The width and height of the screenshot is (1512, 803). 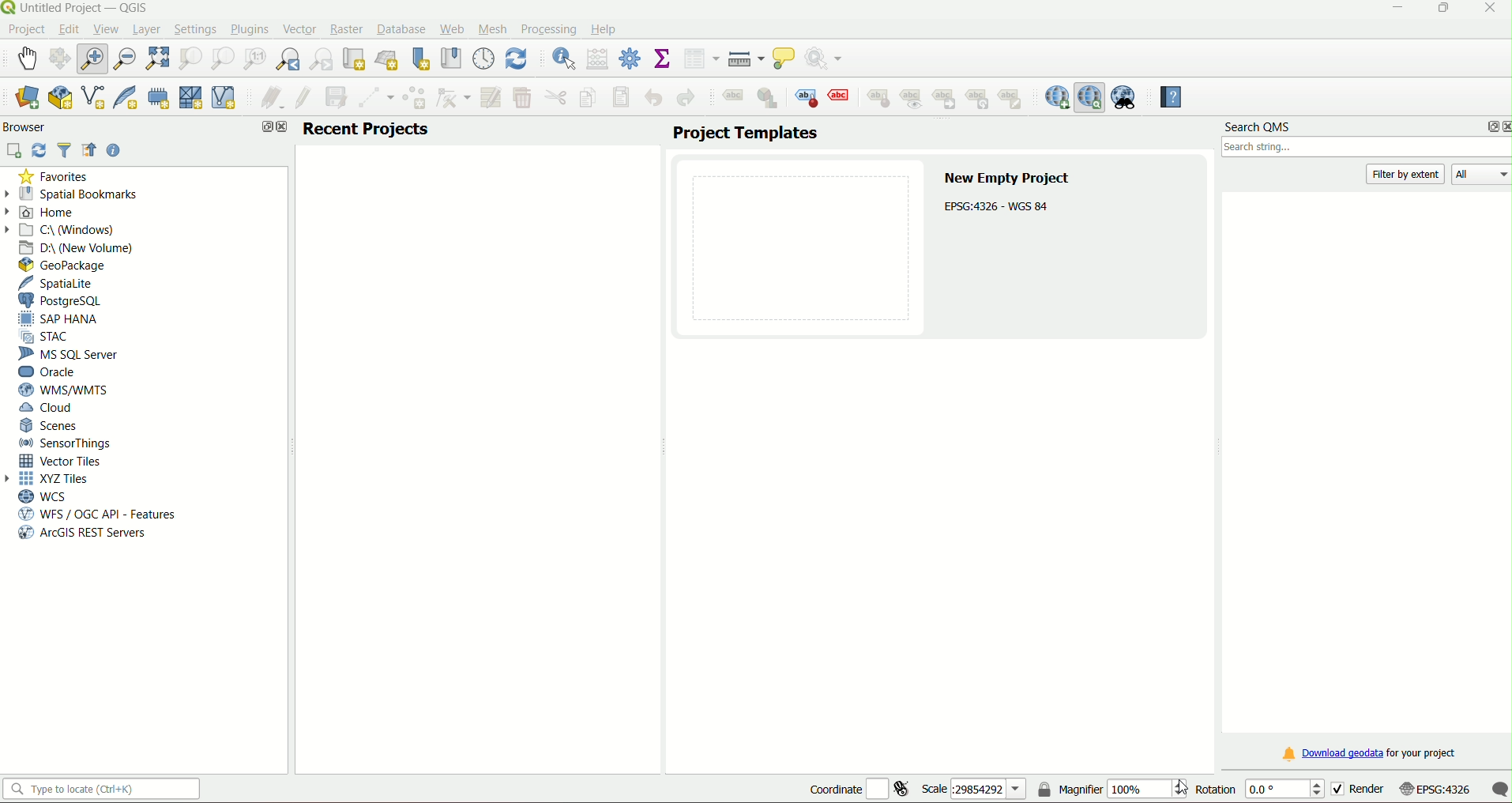 What do you see at coordinates (115, 150) in the screenshot?
I see `enable/disable properties widget` at bounding box center [115, 150].